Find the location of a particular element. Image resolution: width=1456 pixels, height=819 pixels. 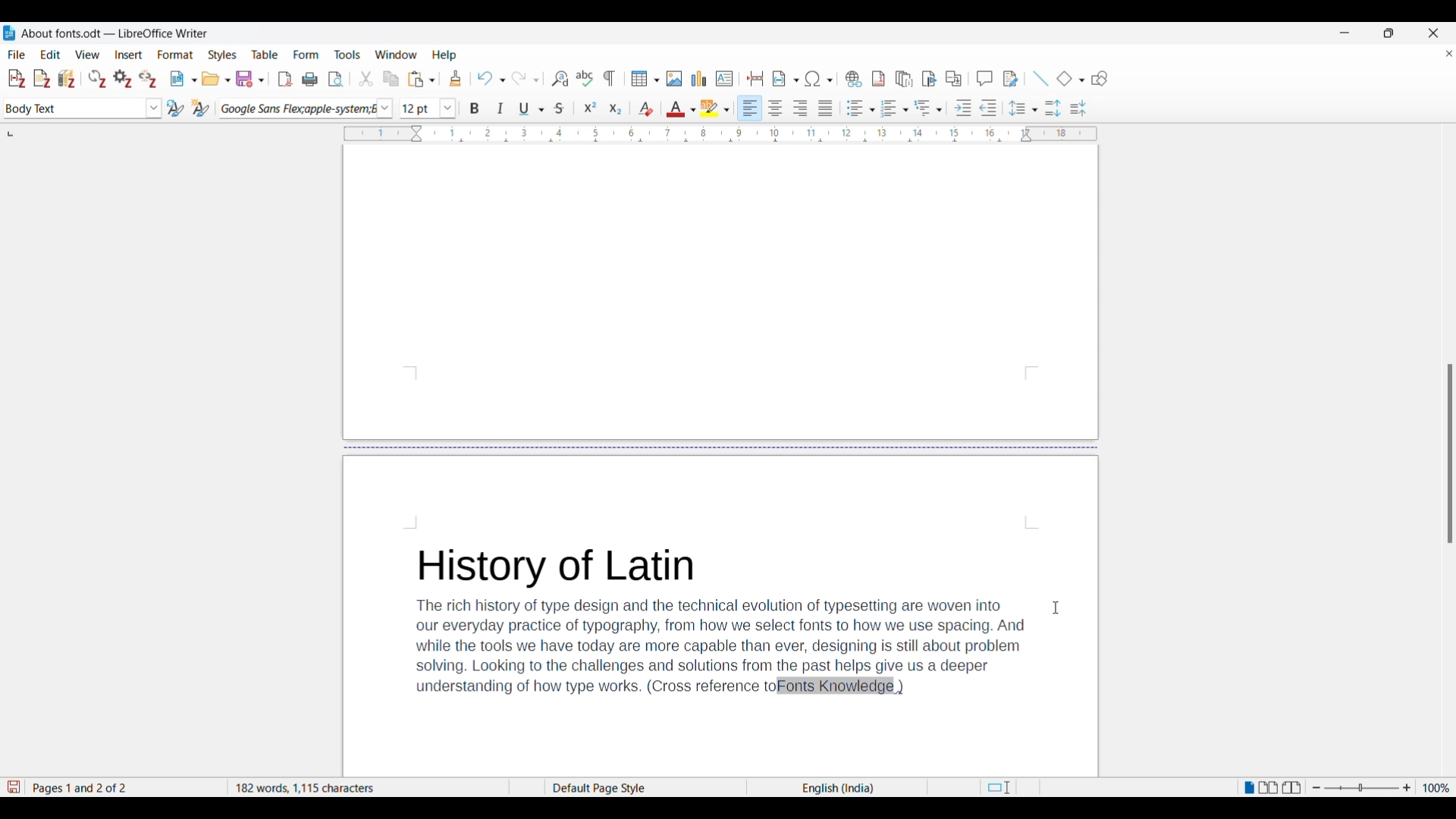

vertical scroll bar is located at coordinates (1447, 455).